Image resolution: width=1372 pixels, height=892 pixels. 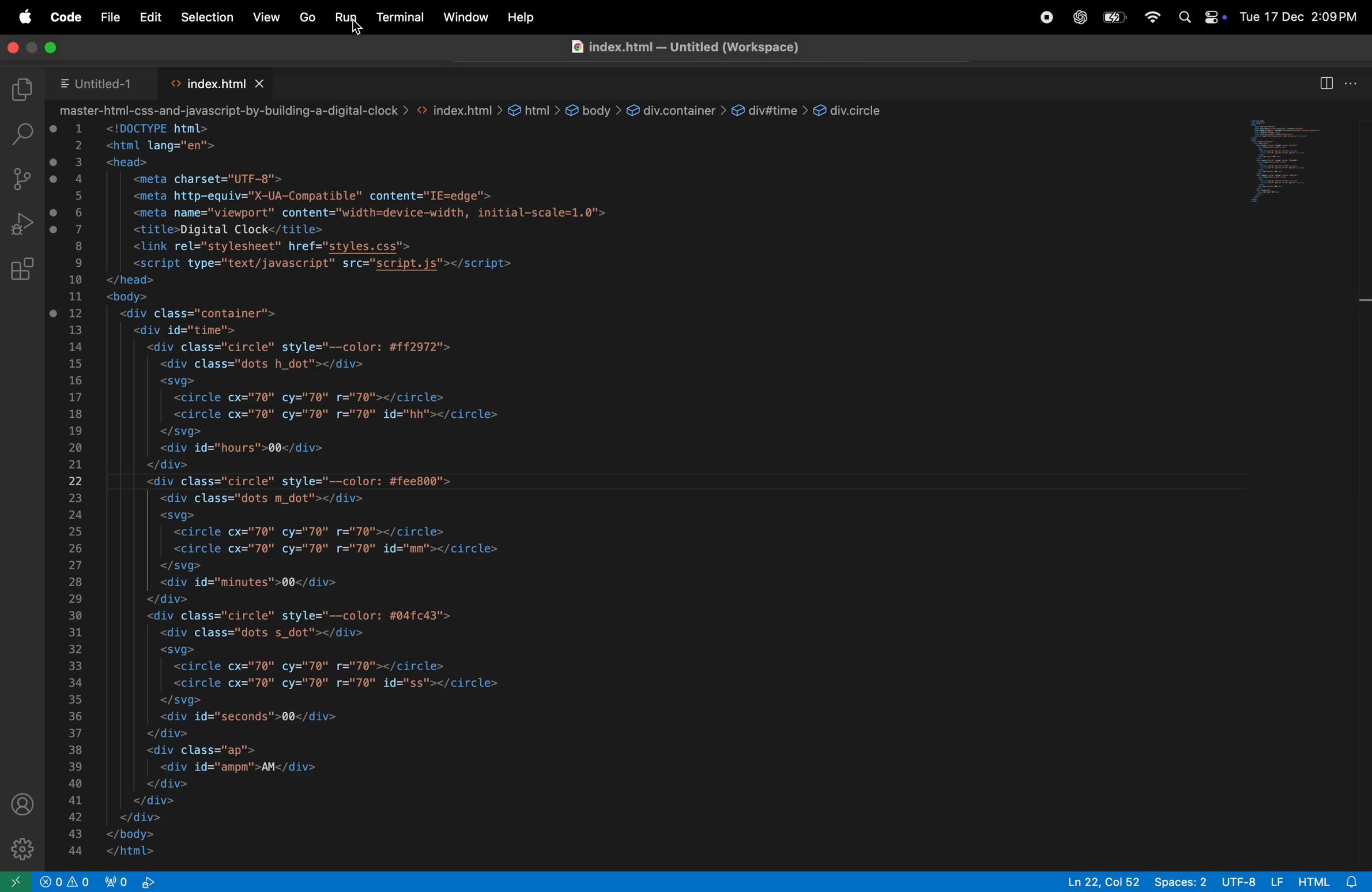 I want to click on apple menu, so click(x=26, y=16).